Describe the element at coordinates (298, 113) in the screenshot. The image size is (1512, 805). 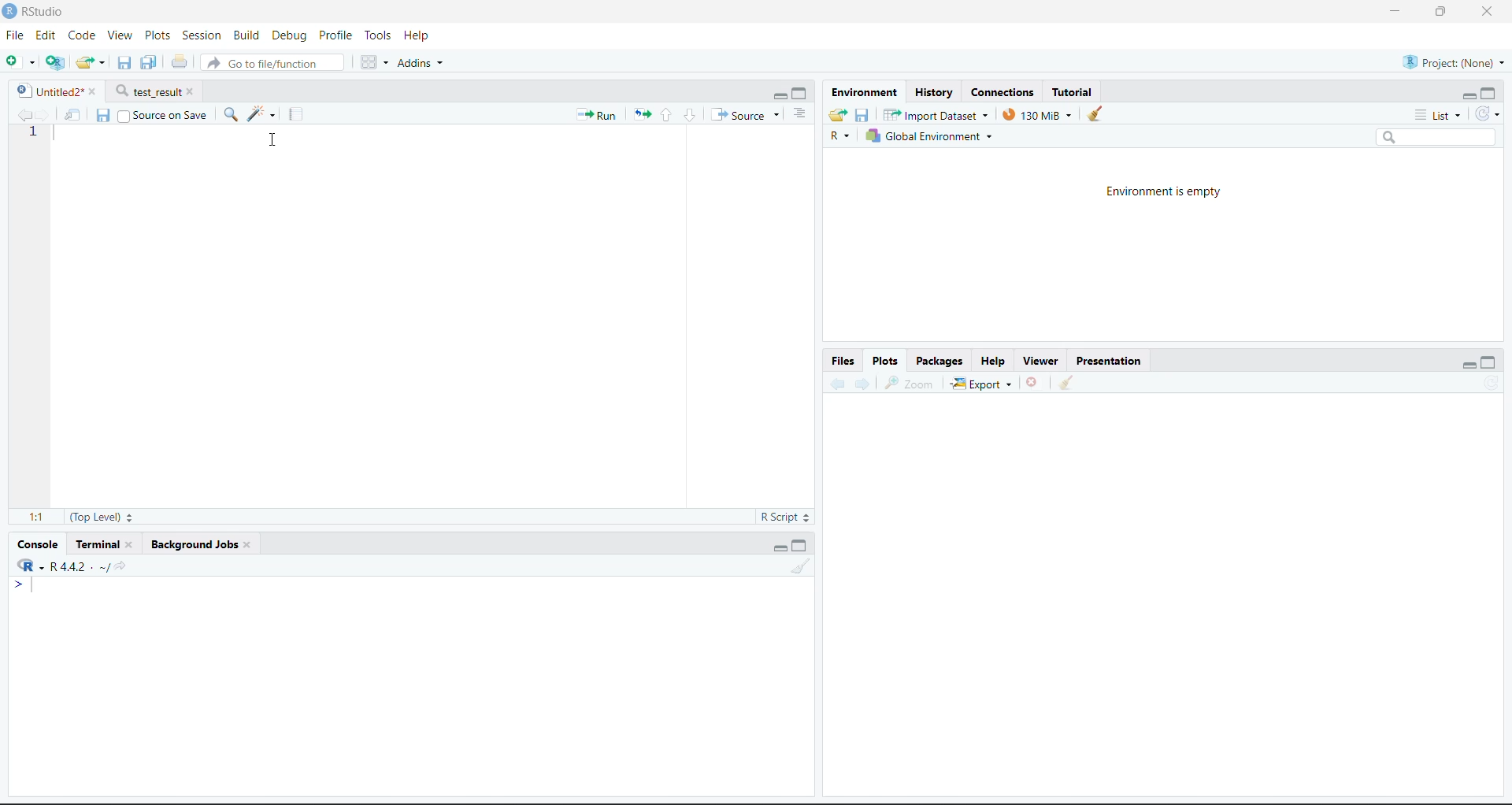
I see `Compile Report (Ctrl + Shift + K)` at that location.